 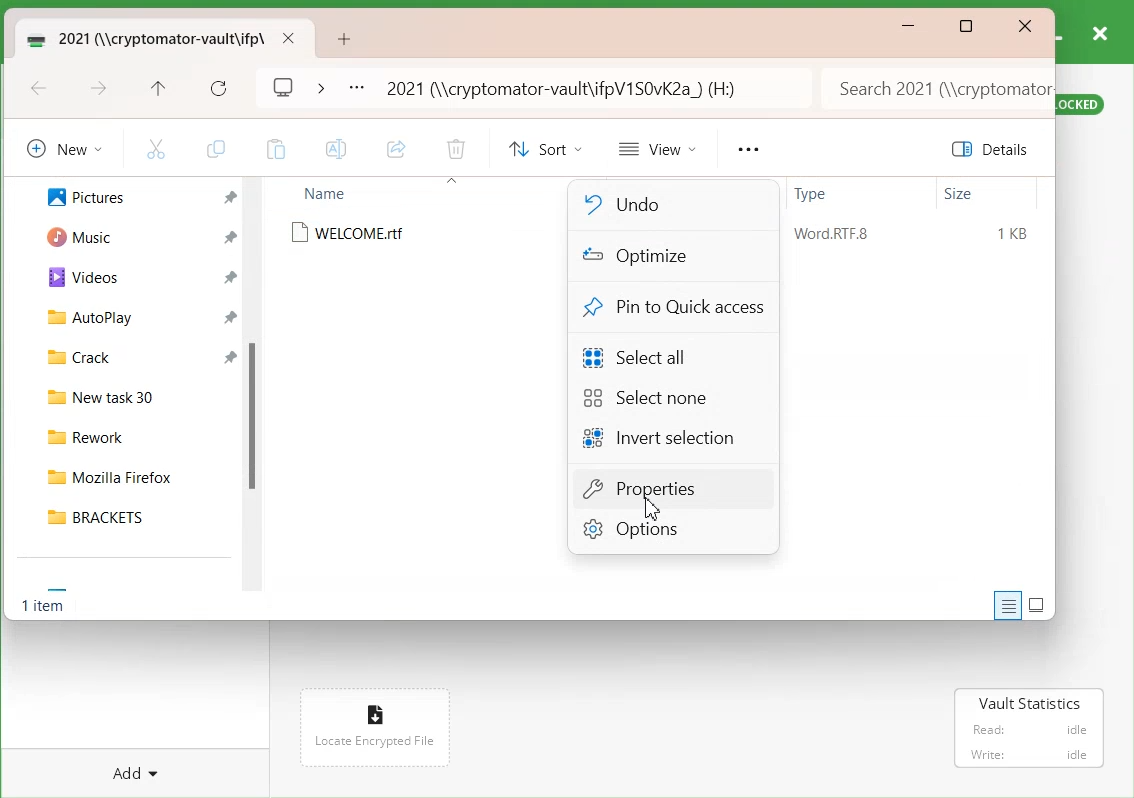 What do you see at coordinates (337, 149) in the screenshot?
I see `Rename` at bounding box center [337, 149].